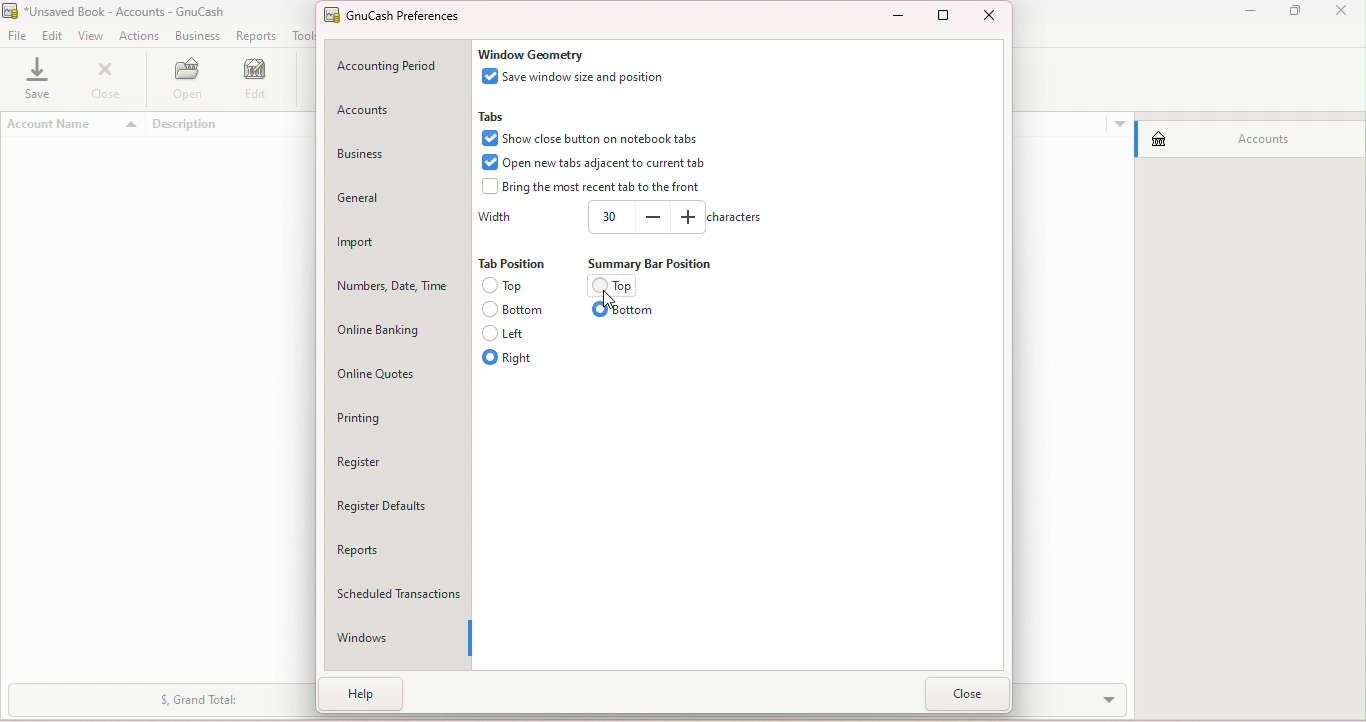 This screenshot has width=1366, height=722. What do you see at coordinates (392, 279) in the screenshot?
I see `Numbers, Date, Time` at bounding box center [392, 279].